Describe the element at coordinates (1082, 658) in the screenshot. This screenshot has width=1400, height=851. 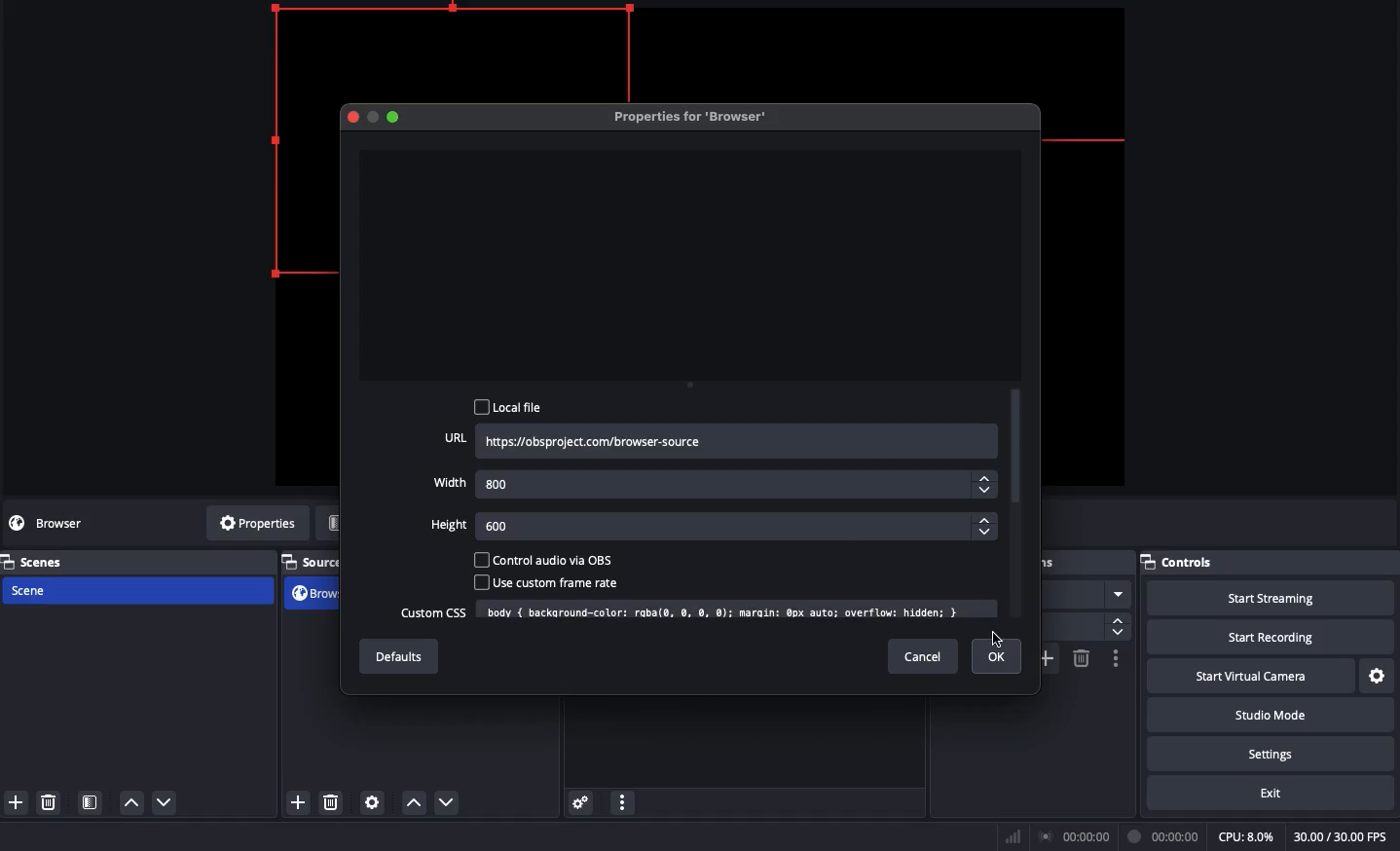
I see `Remove` at that location.